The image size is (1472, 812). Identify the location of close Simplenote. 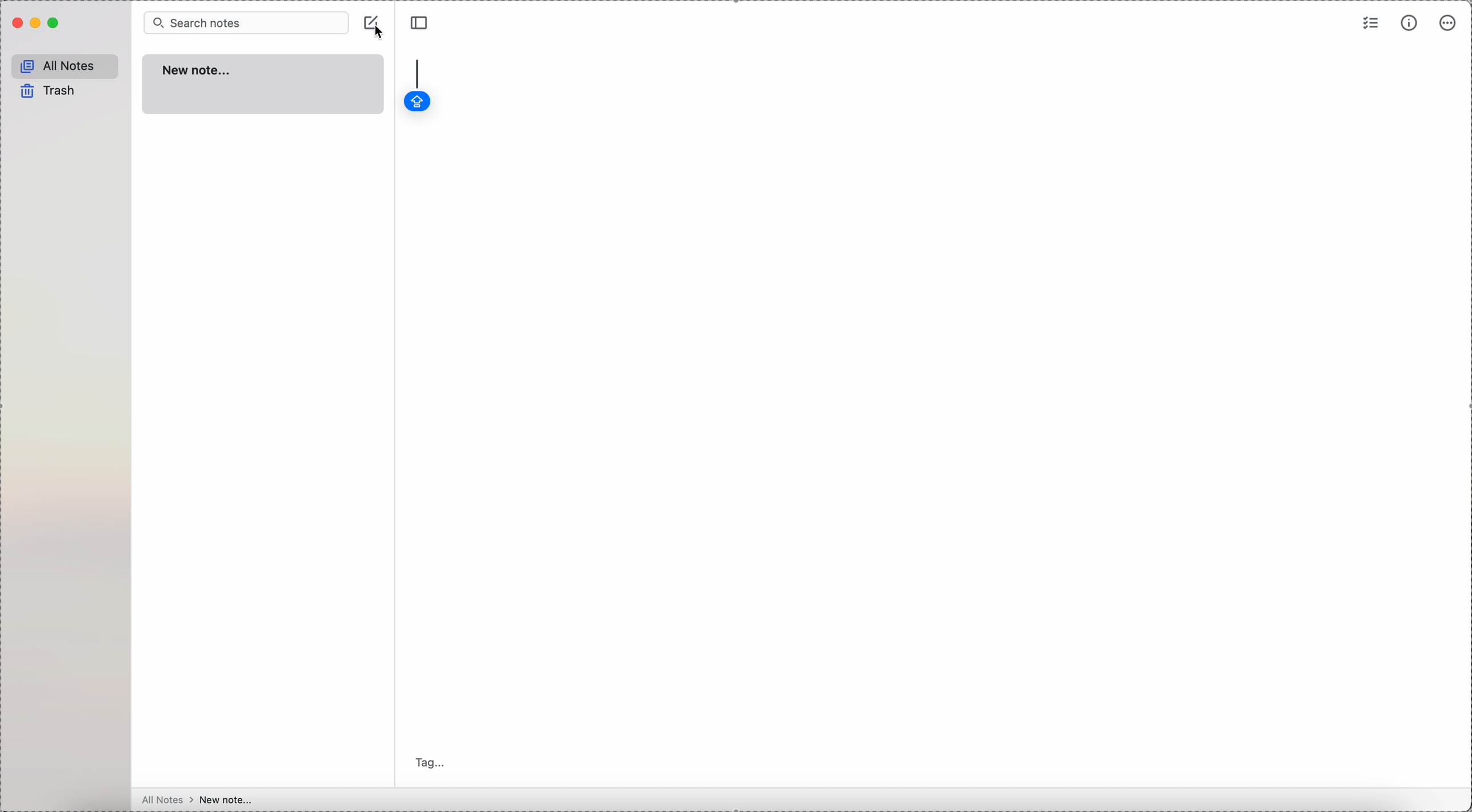
(16, 23).